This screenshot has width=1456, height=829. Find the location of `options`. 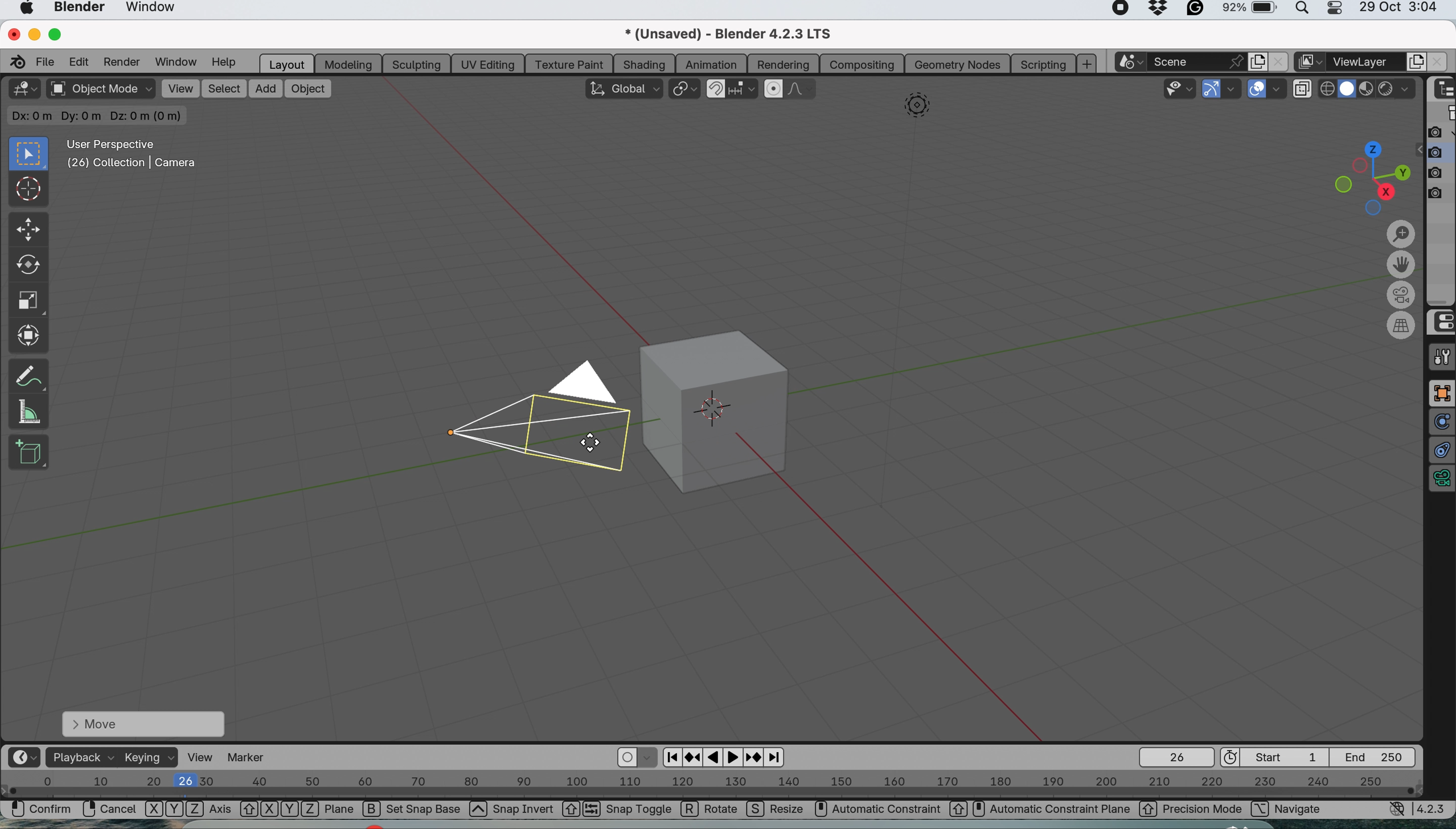

options is located at coordinates (1384, 114).